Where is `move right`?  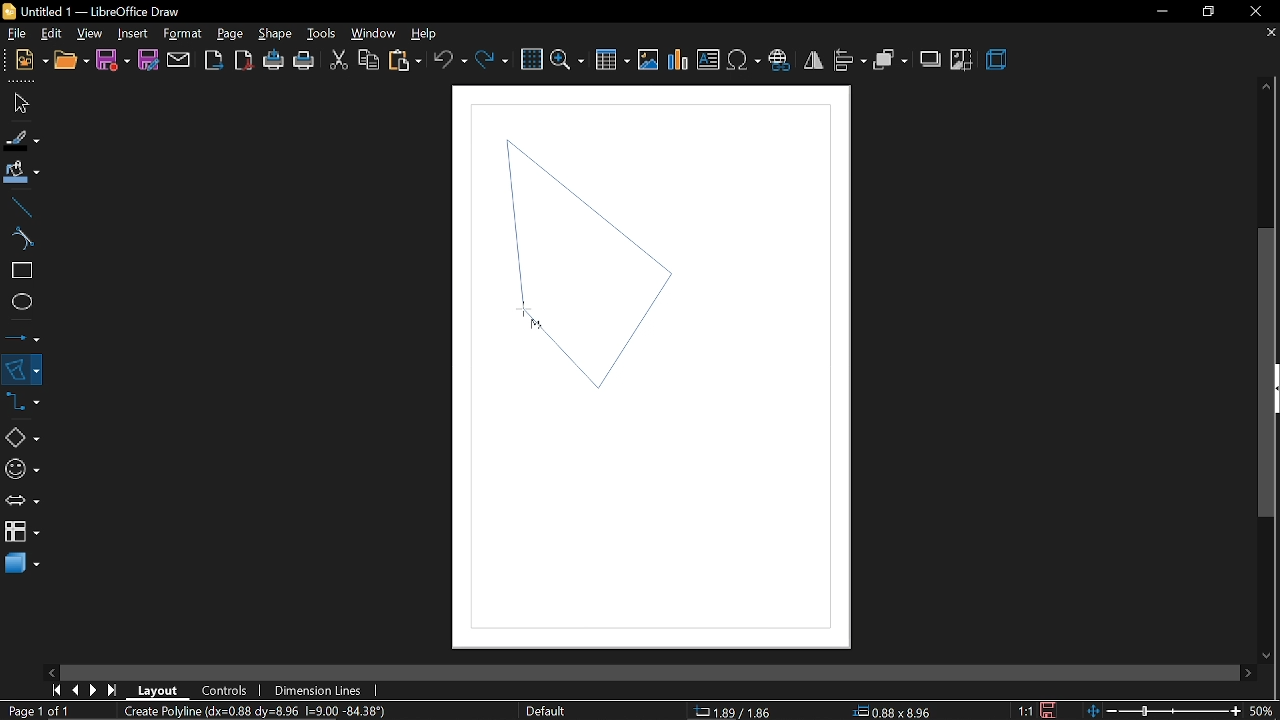 move right is located at coordinates (1245, 670).